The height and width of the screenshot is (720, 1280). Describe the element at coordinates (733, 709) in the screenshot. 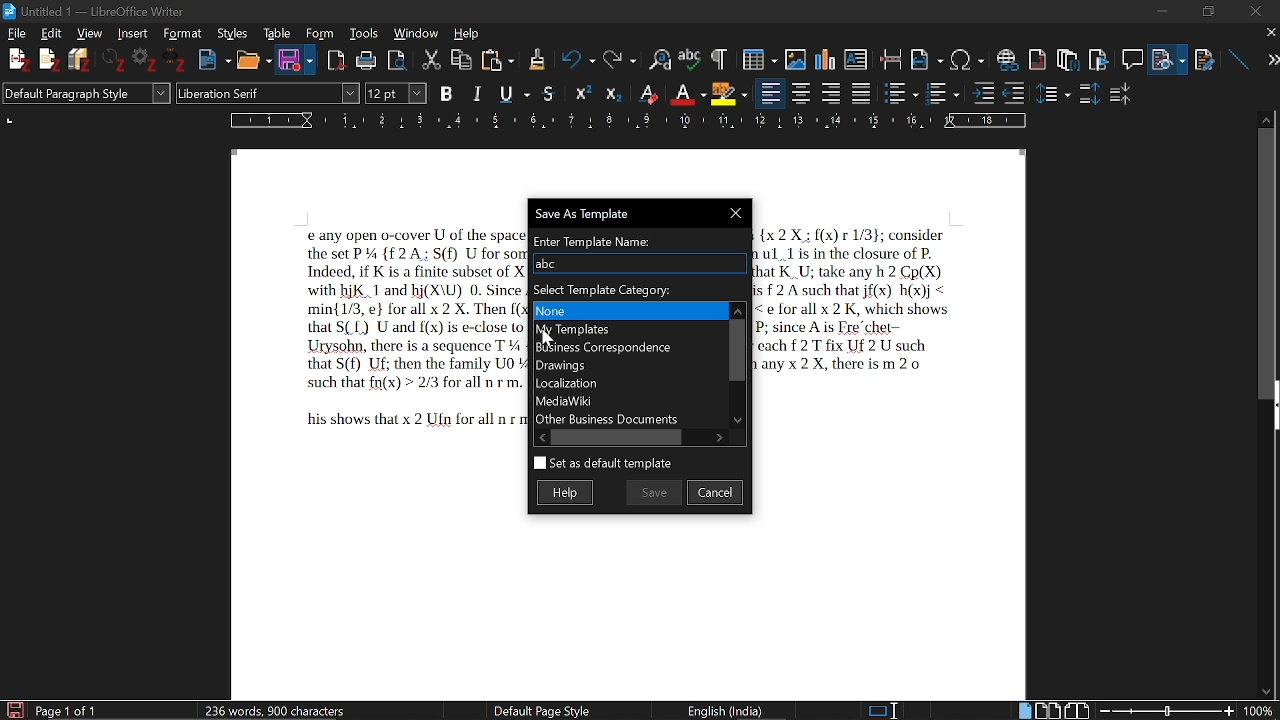

I see `English(India)` at that location.